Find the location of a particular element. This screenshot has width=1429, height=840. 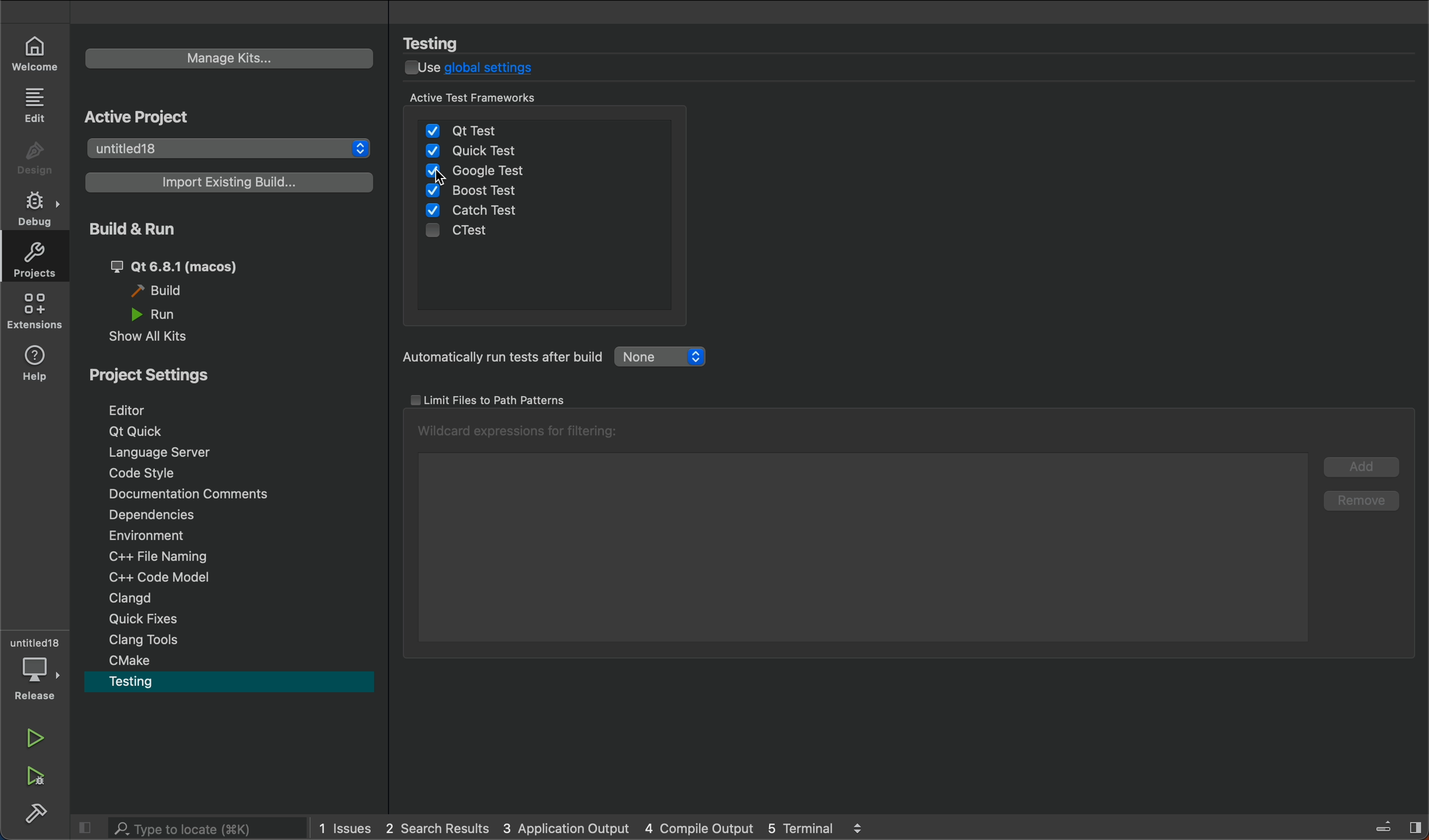

quick test is located at coordinates (495, 151).